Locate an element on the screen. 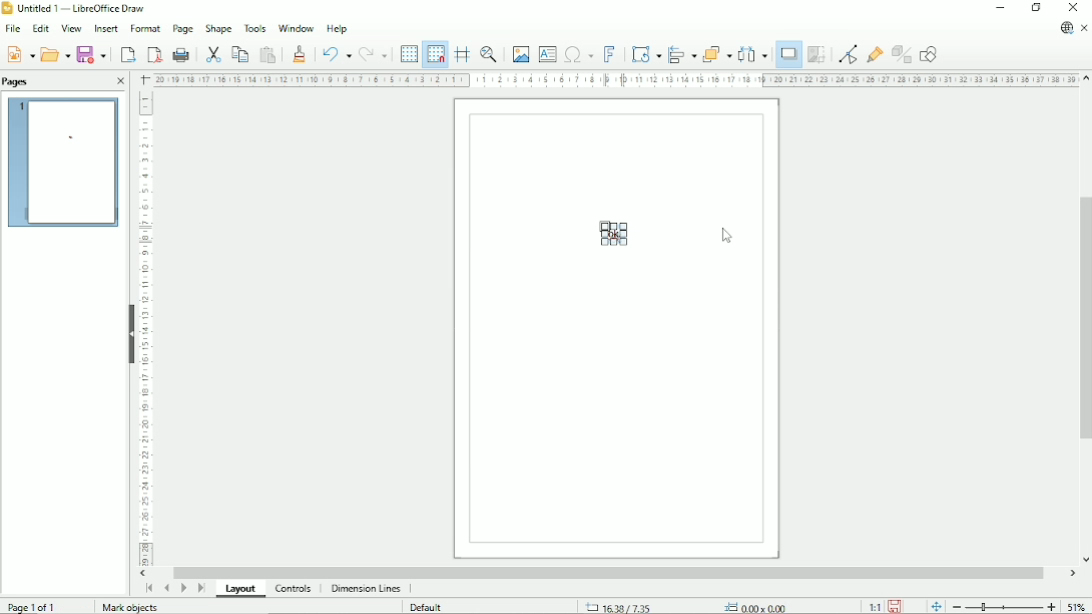 The image size is (1092, 614). Preview is located at coordinates (64, 163).